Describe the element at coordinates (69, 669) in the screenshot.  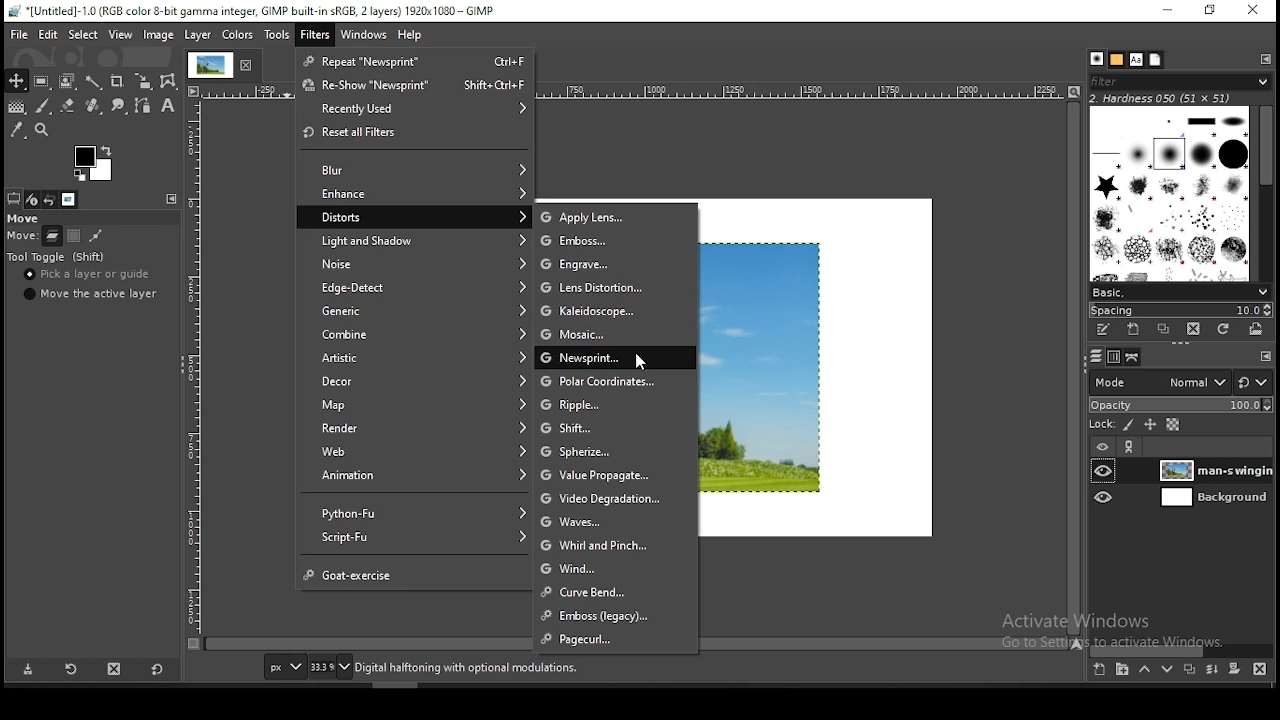
I see `restore tool preset` at that location.